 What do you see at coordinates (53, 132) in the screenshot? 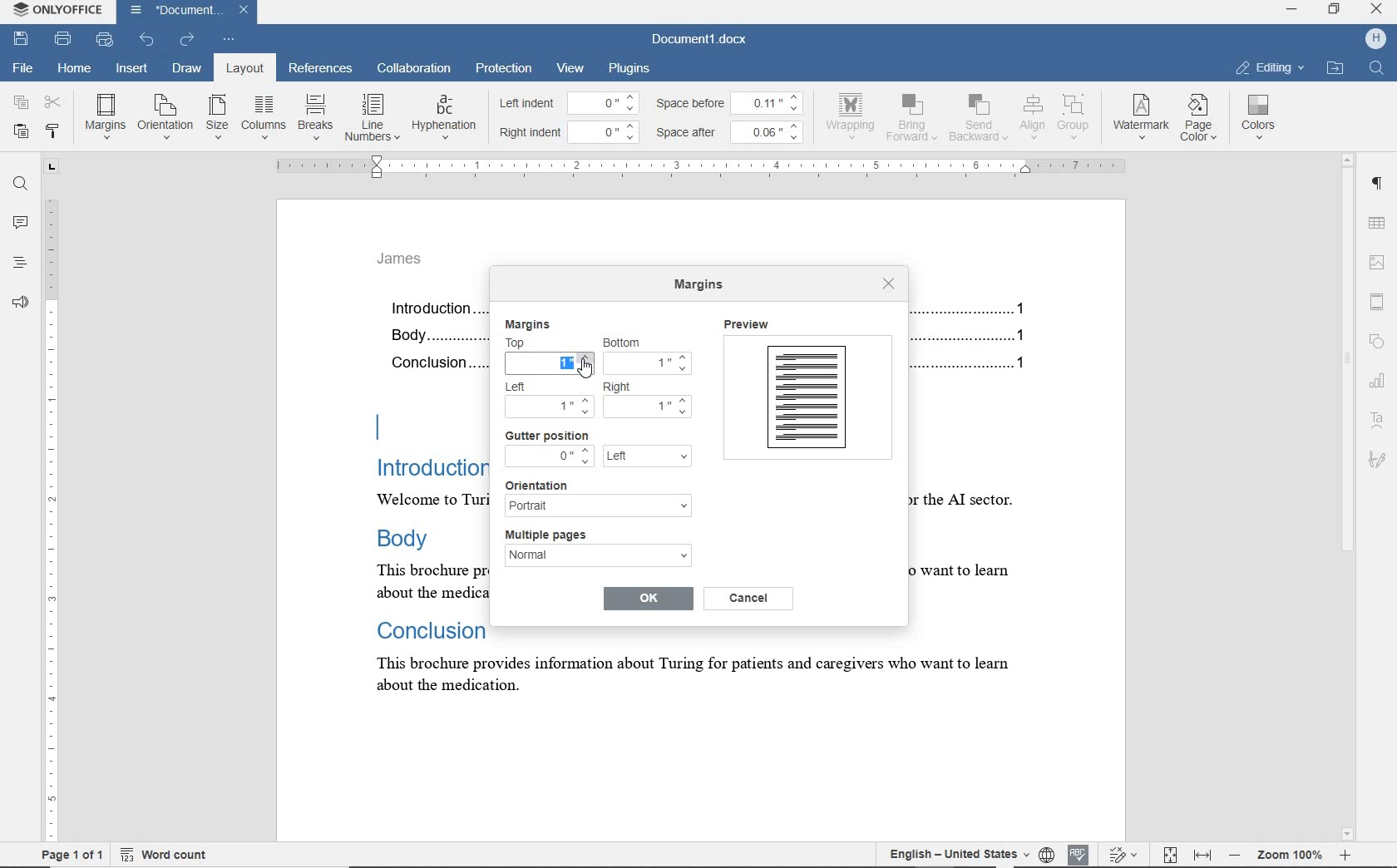
I see `copy style` at bounding box center [53, 132].